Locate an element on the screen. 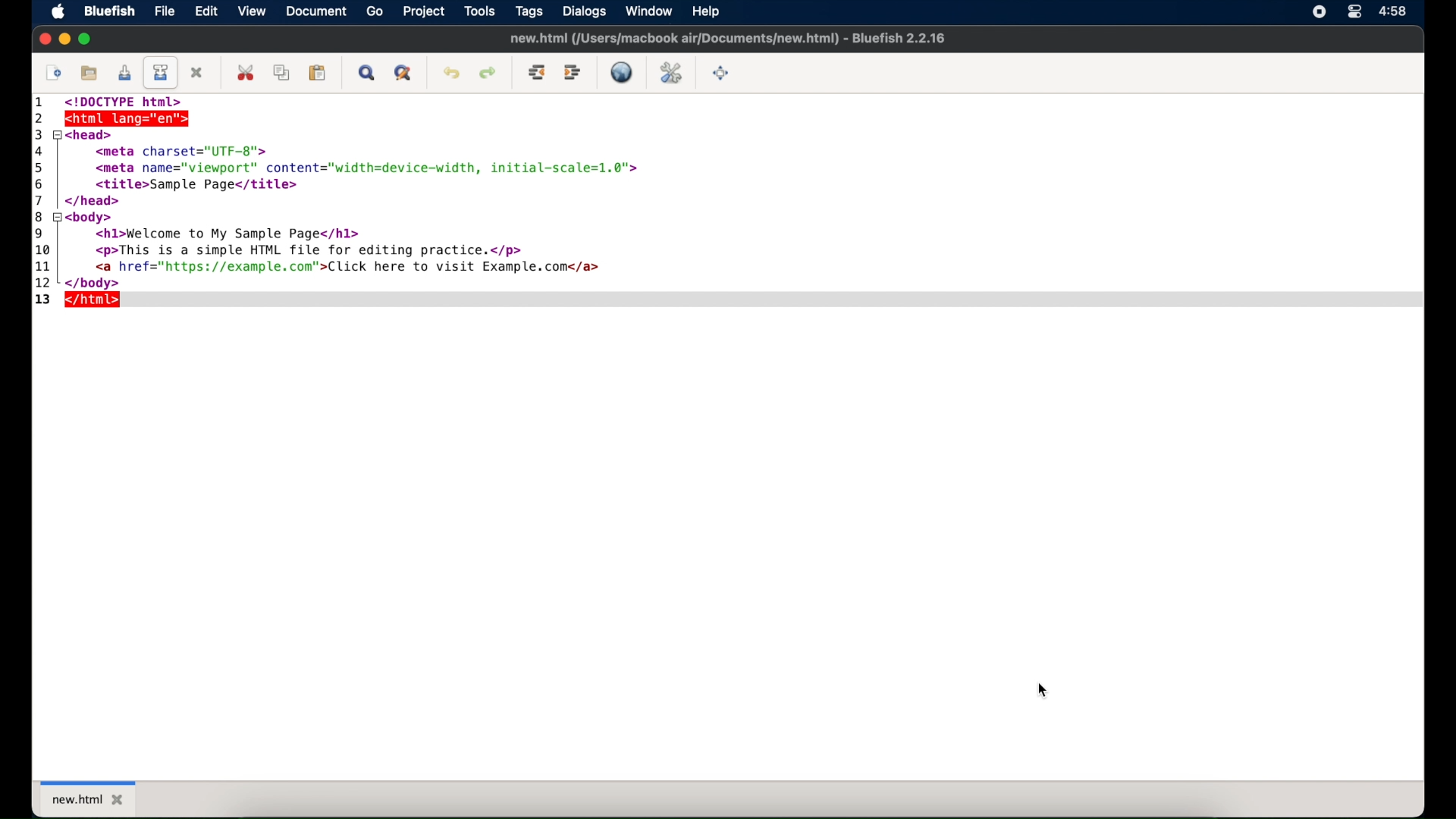 The width and height of the screenshot is (1456, 819). help is located at coordinates (704, 11).